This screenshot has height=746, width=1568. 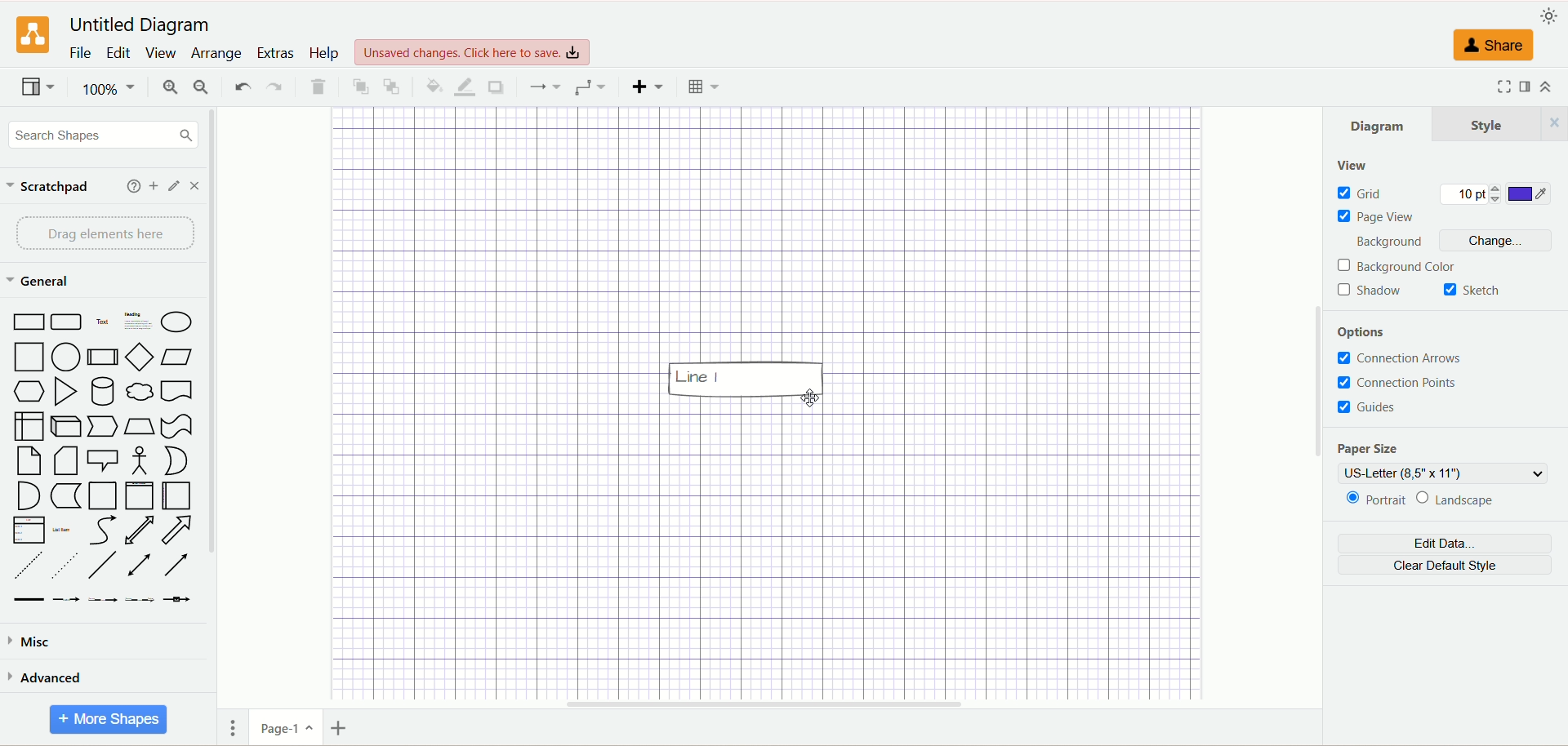 What do you see at coordinates (700, 85) in the screenshot?
I see `table` at bounding box center [700, 85].